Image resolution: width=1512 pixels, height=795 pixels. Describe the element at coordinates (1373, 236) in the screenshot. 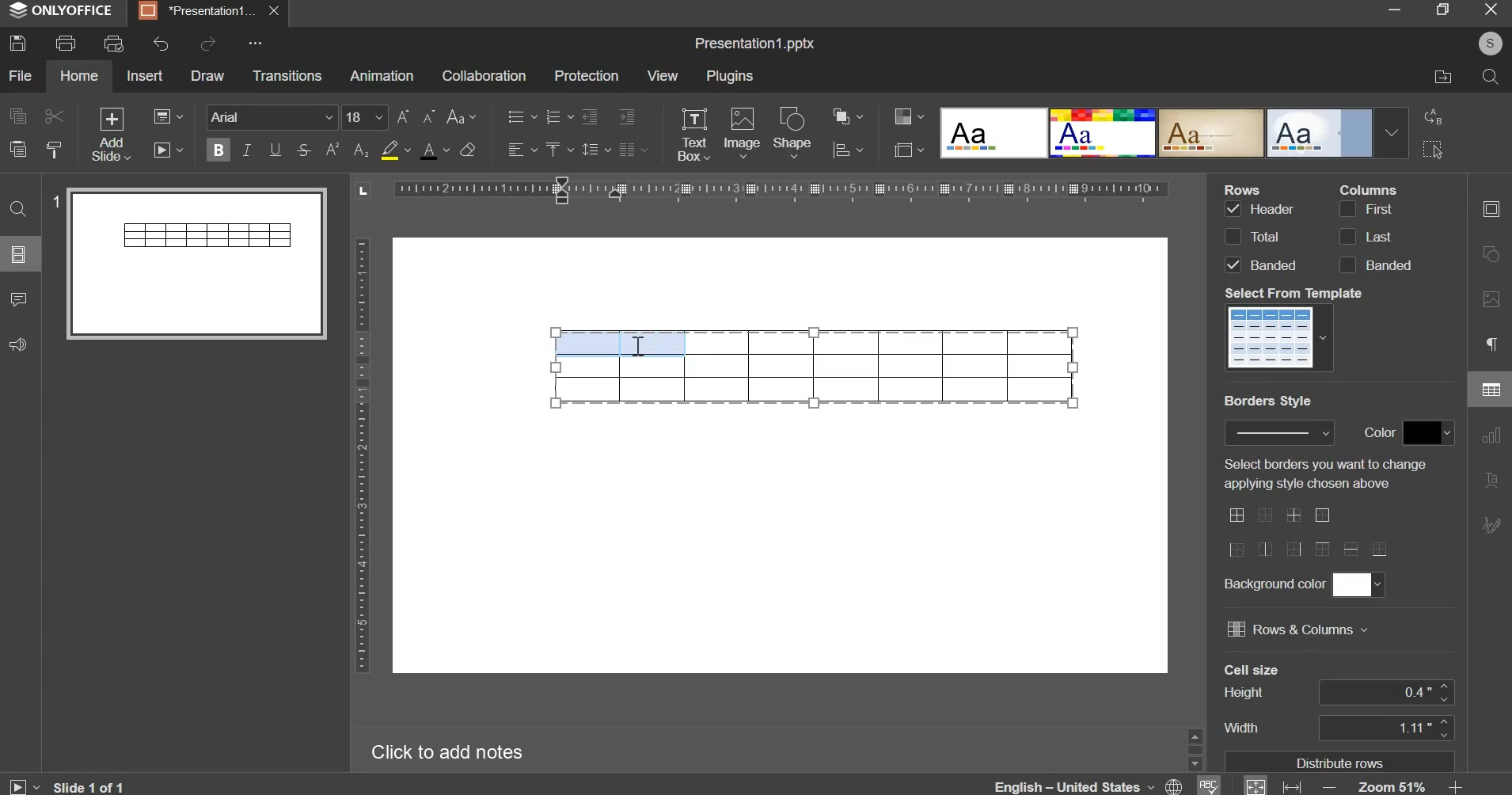

I see `columns` at that location.